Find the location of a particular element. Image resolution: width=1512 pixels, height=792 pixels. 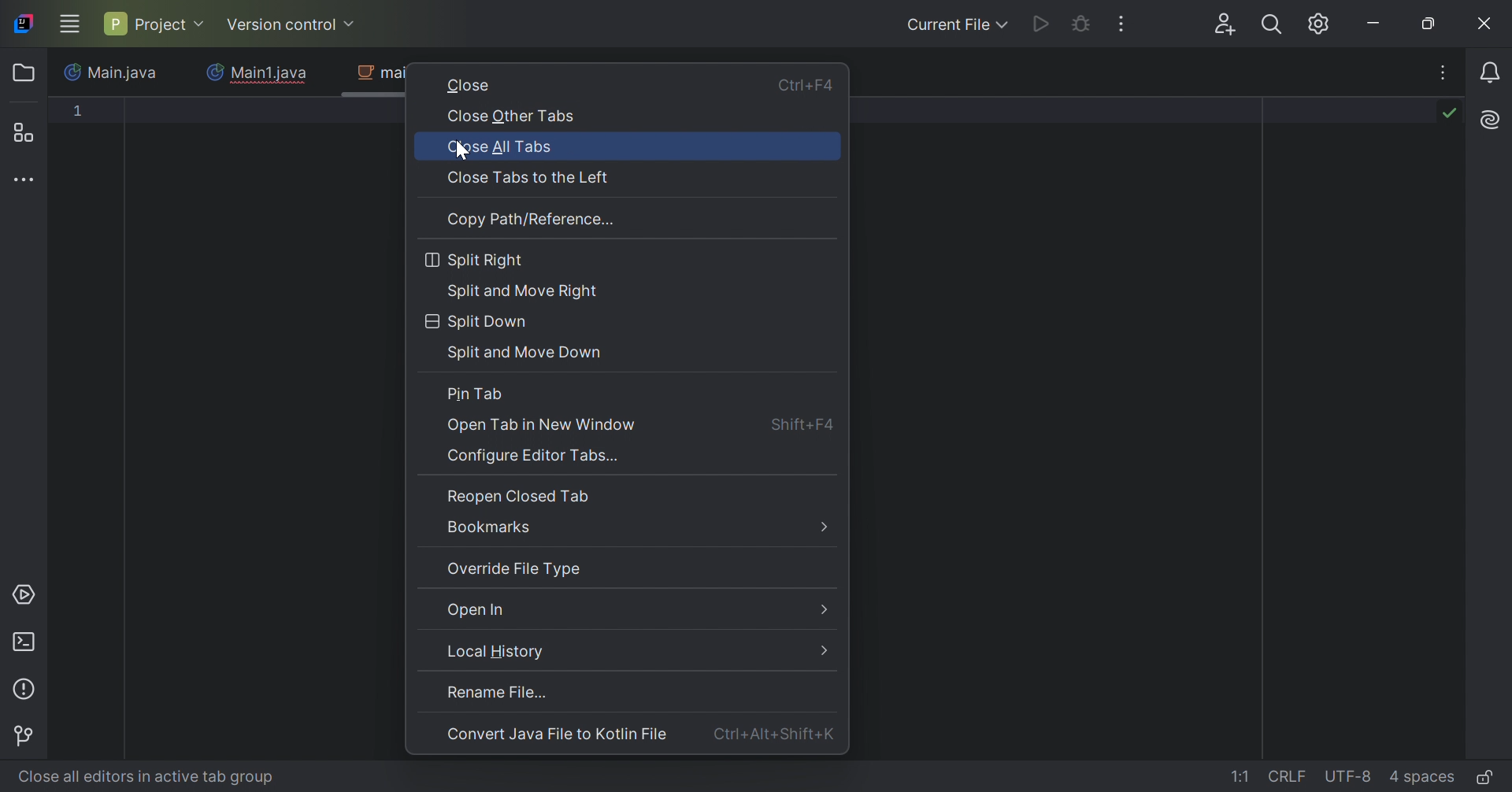

Debug is located at coordinates (1083, 24).